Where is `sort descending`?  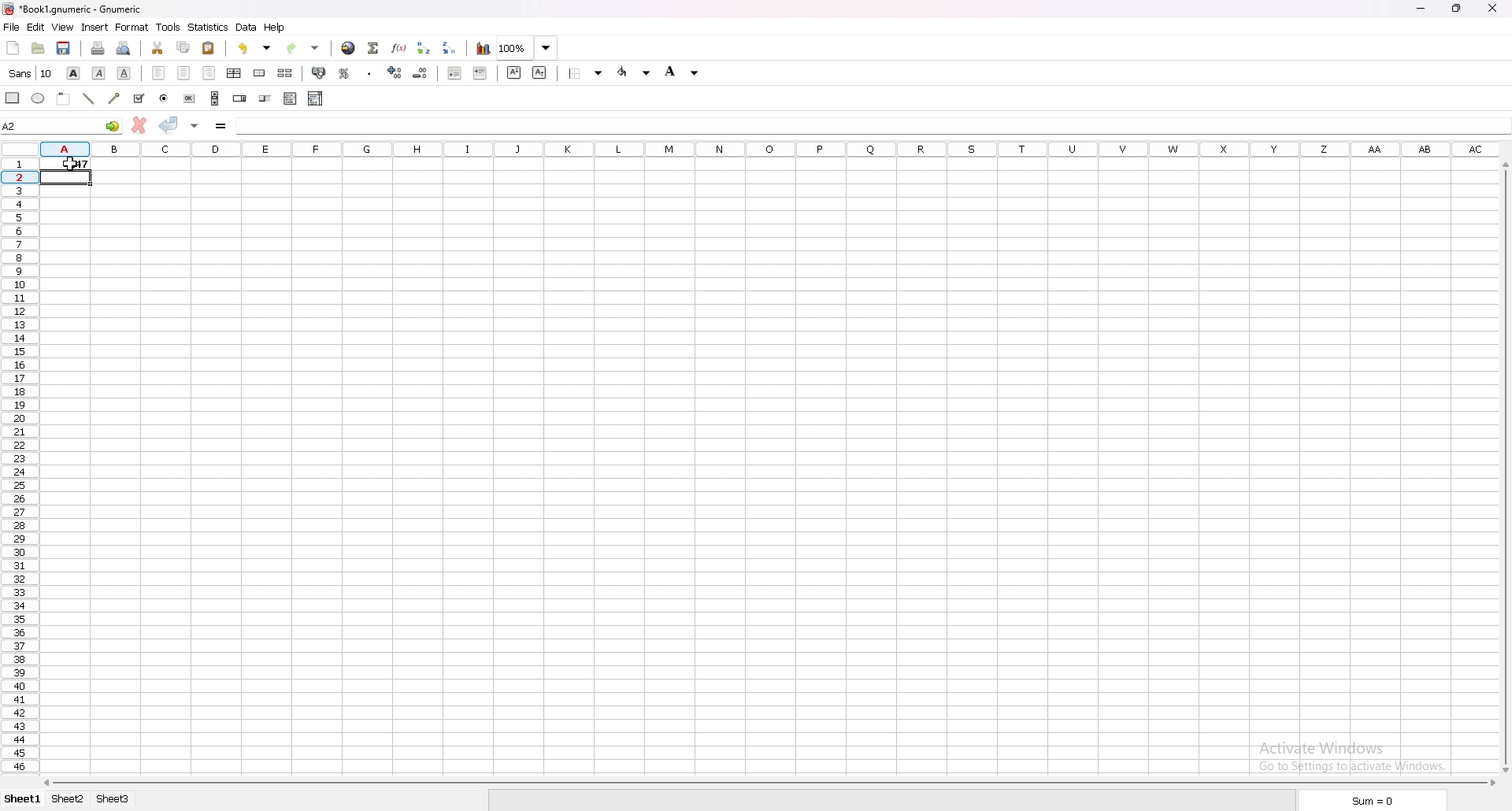 sort descending is located at coordinates (449, 47).